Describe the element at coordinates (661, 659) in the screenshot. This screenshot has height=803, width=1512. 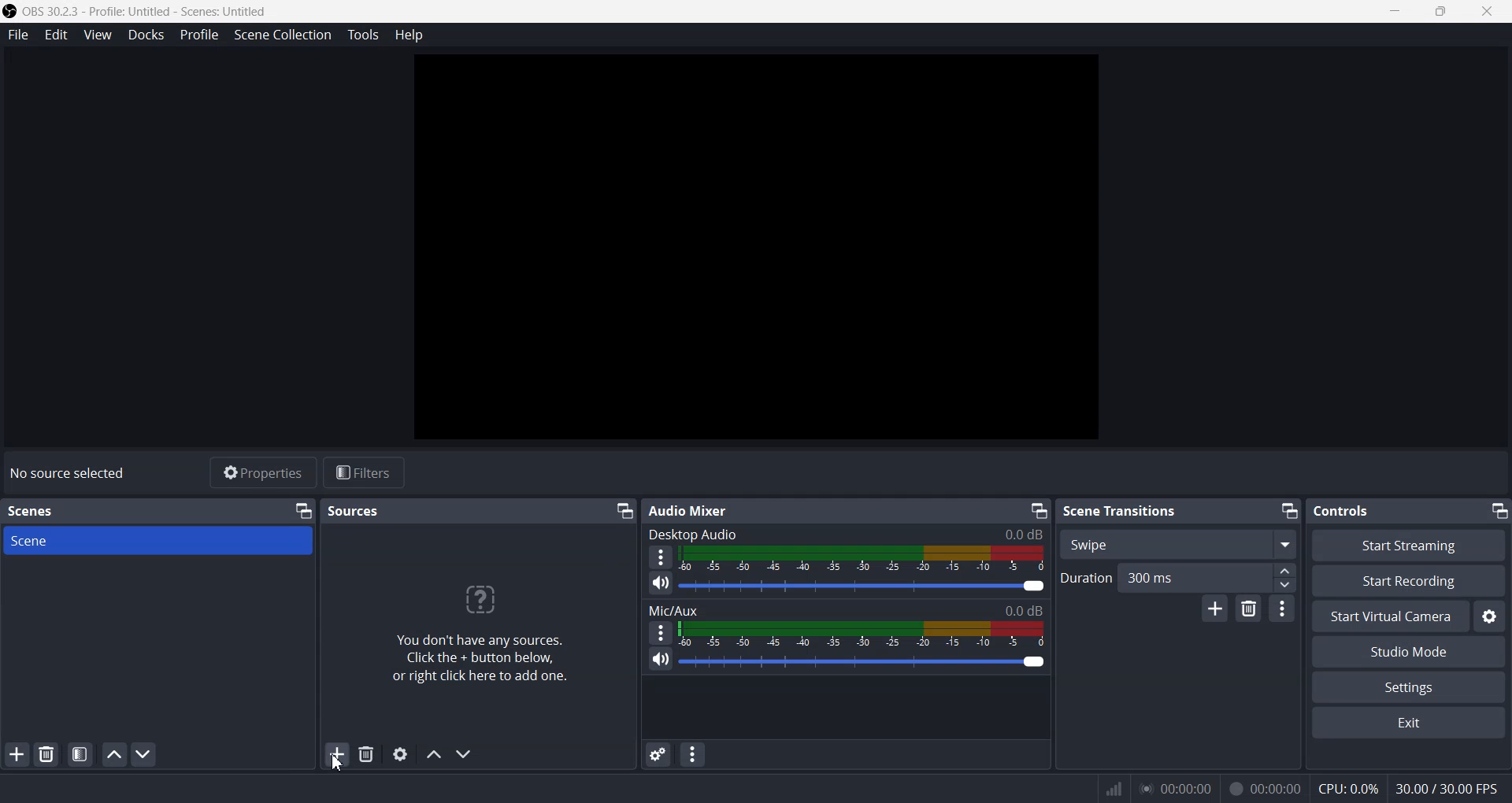
I see `Mute/ Unmute` at that location.